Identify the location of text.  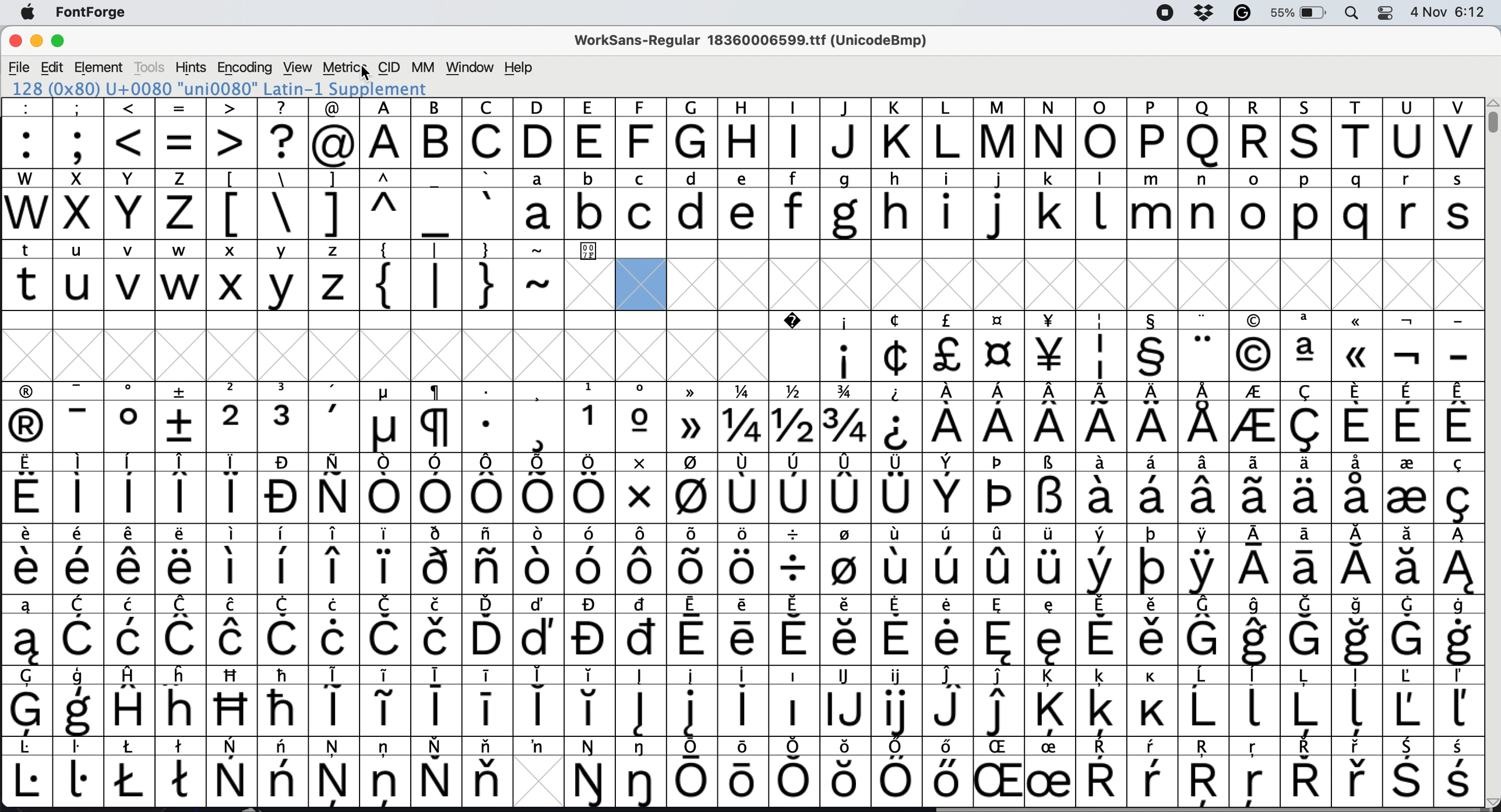
(744, 179).